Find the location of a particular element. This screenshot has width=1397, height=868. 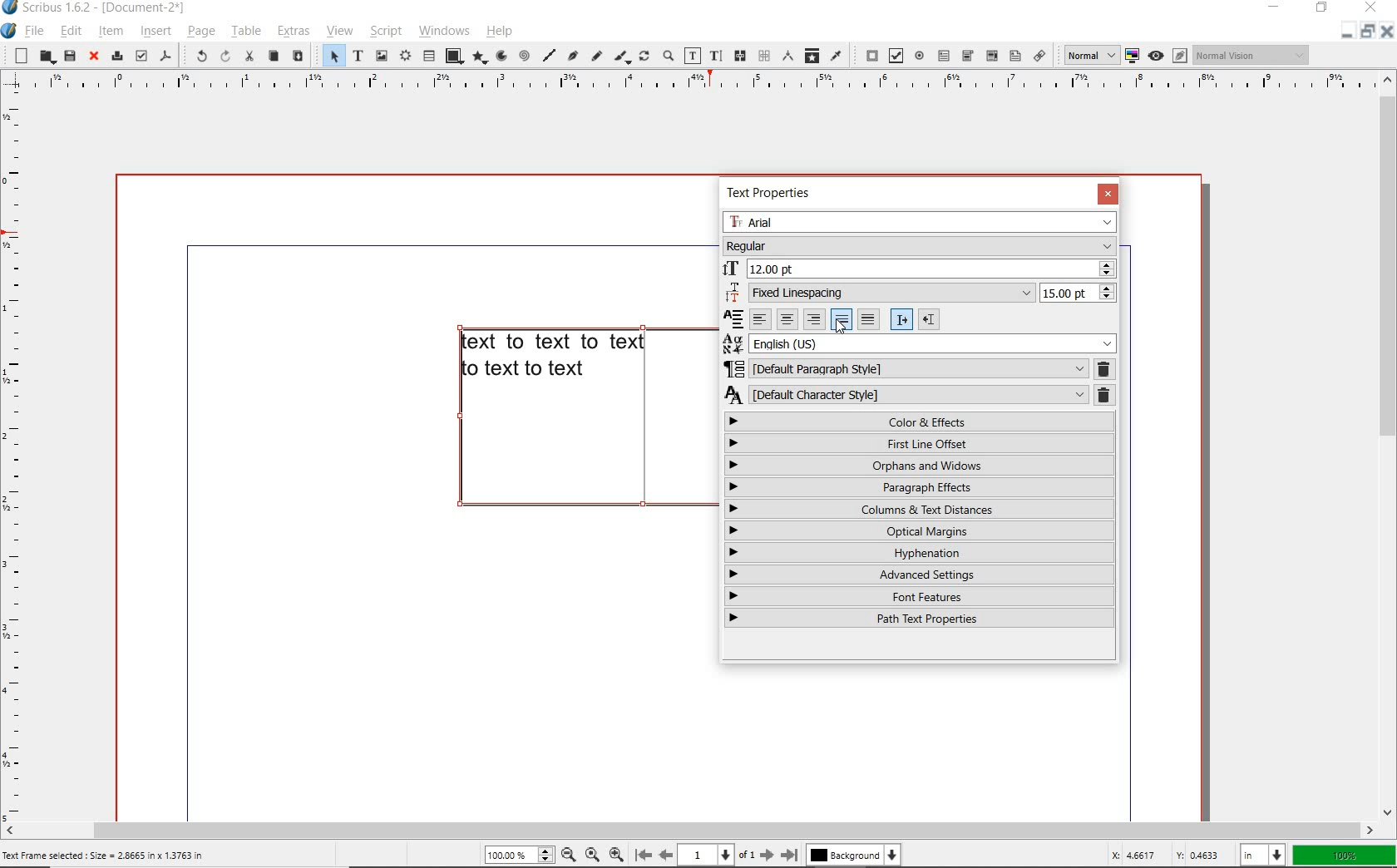

align left is located at coordinates (761, 318).